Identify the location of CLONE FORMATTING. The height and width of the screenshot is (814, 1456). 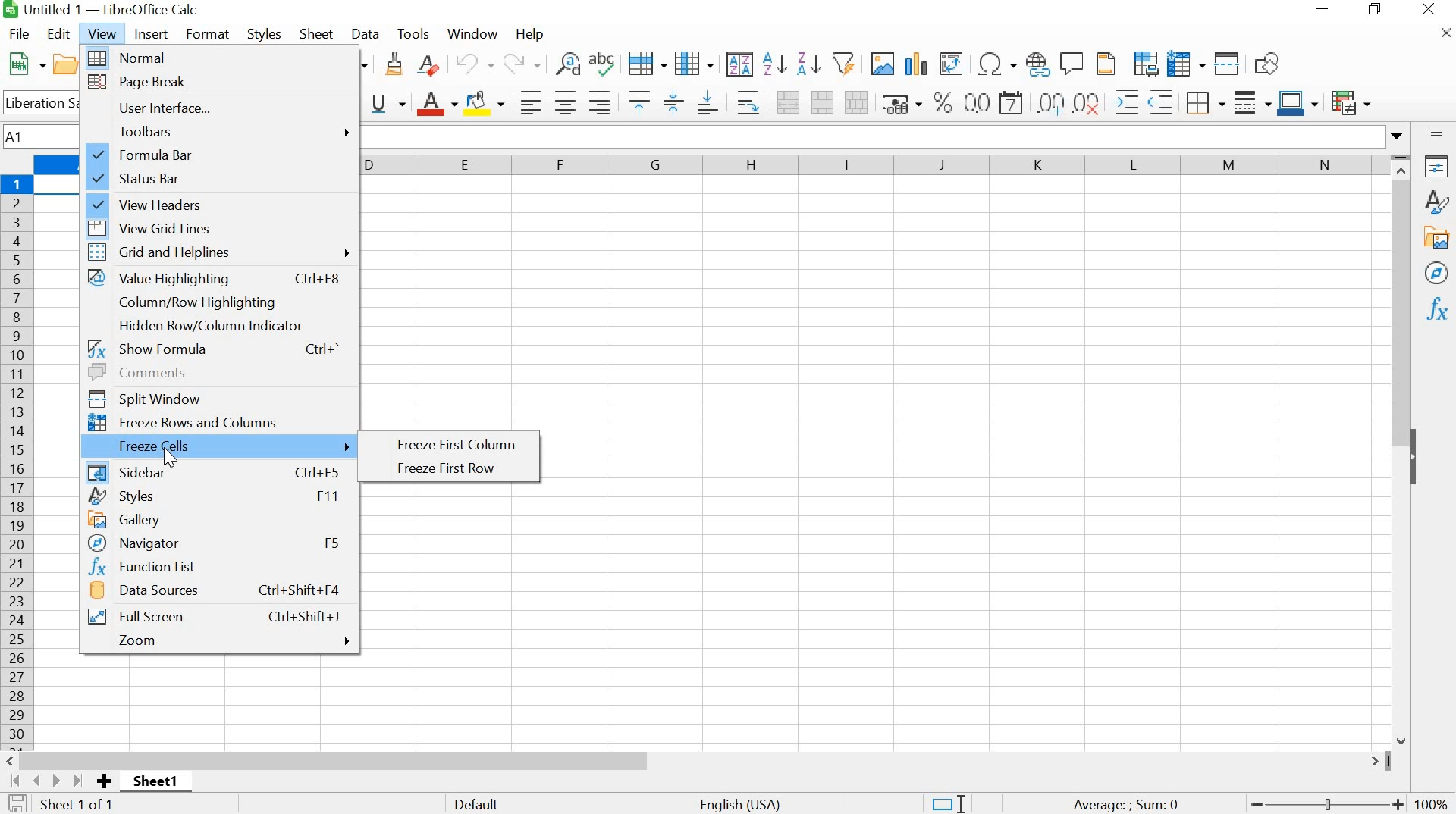
(393, 65).